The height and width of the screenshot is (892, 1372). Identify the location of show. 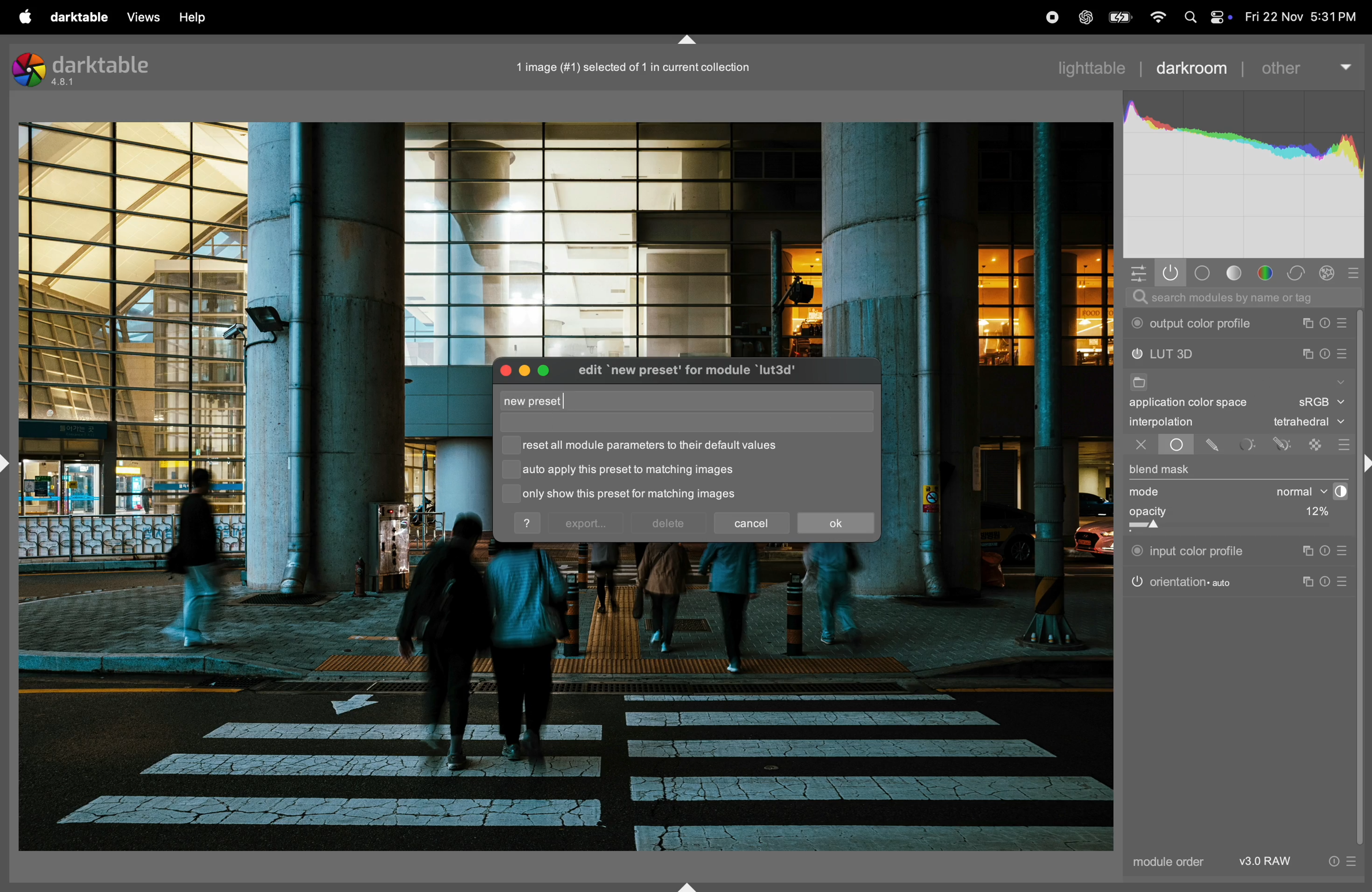
(1339, 380).